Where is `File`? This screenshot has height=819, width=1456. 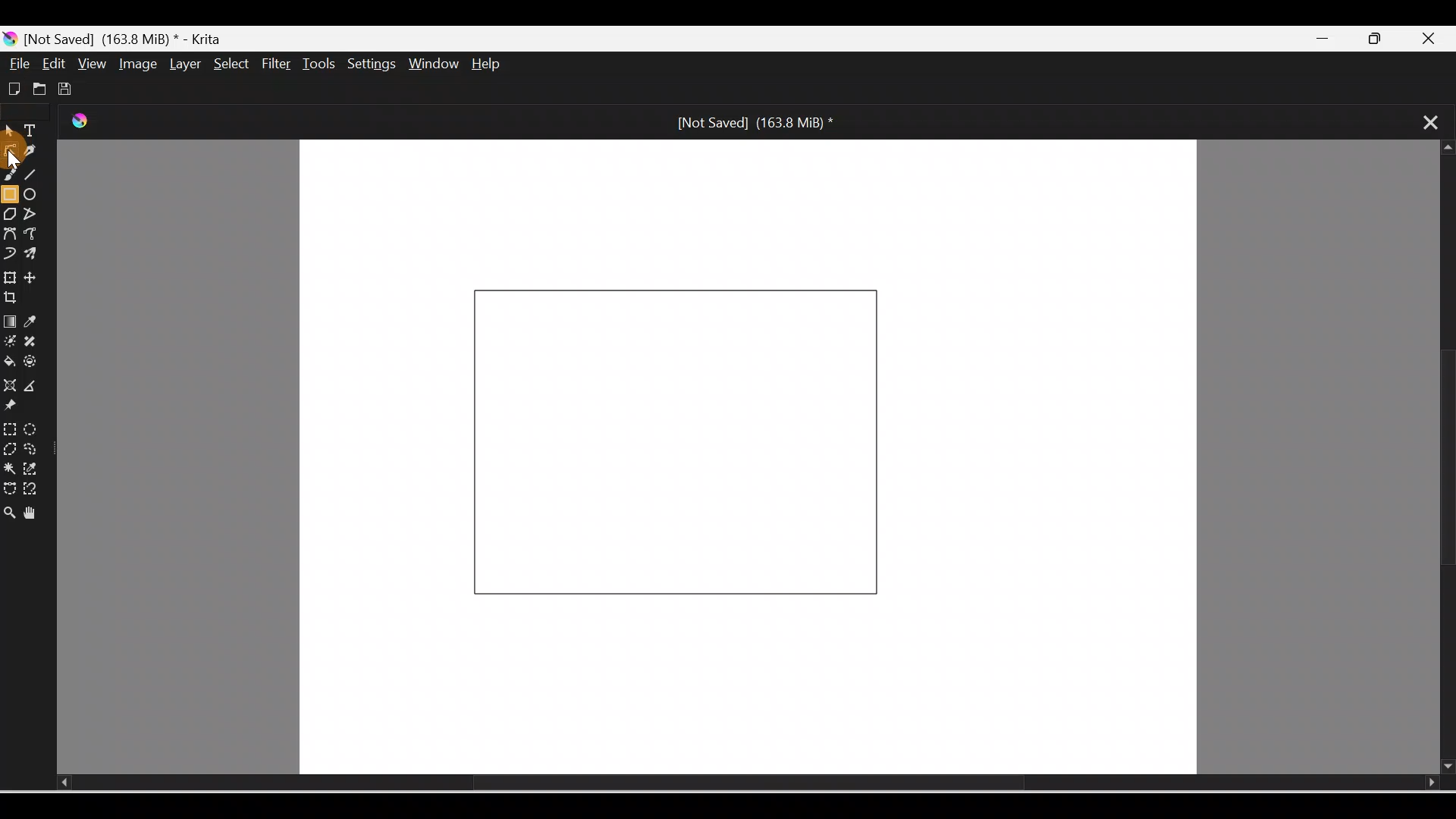
File is located at coordinates (20, 64).